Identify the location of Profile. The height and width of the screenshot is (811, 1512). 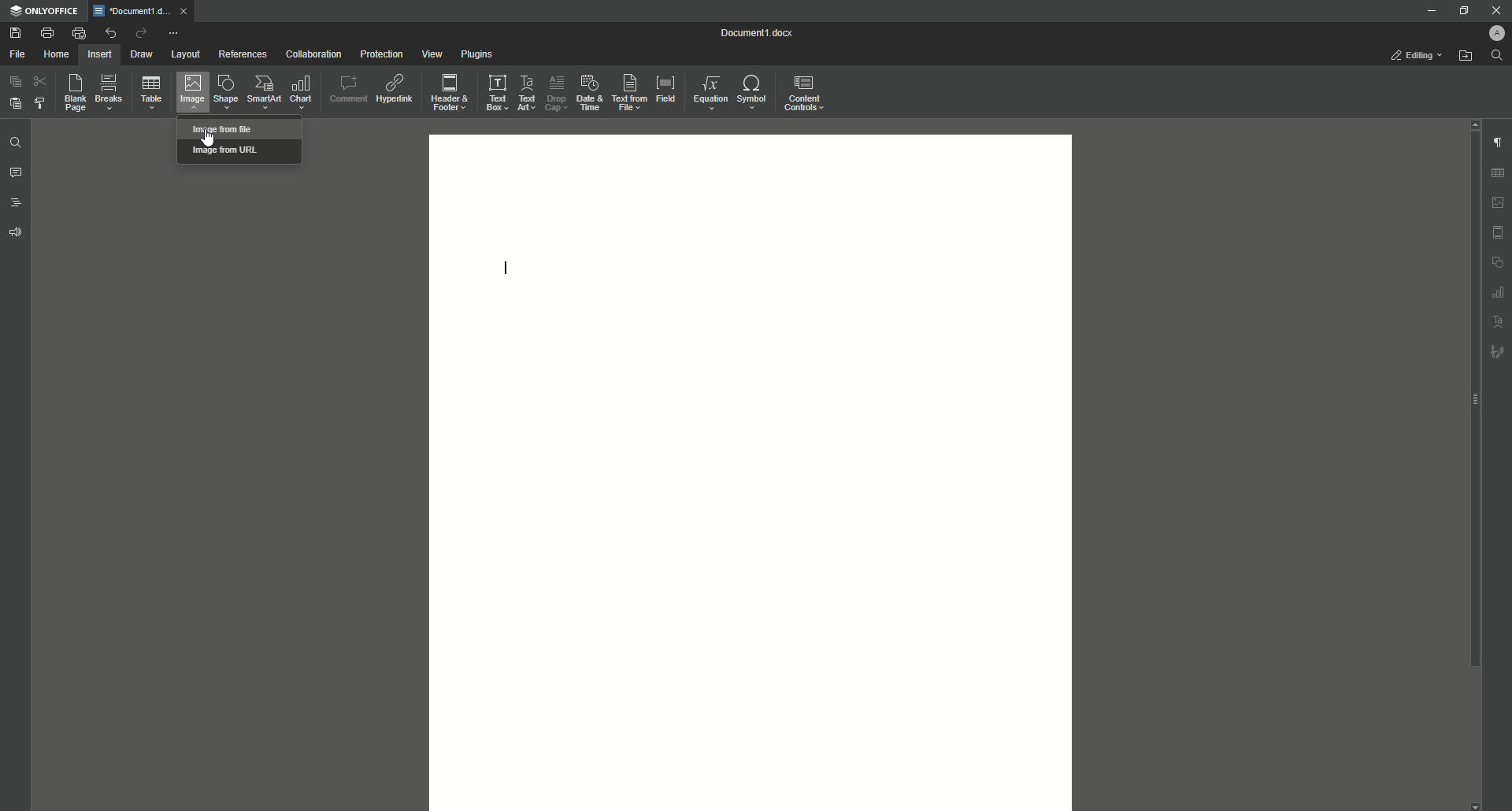
(1494, 33).